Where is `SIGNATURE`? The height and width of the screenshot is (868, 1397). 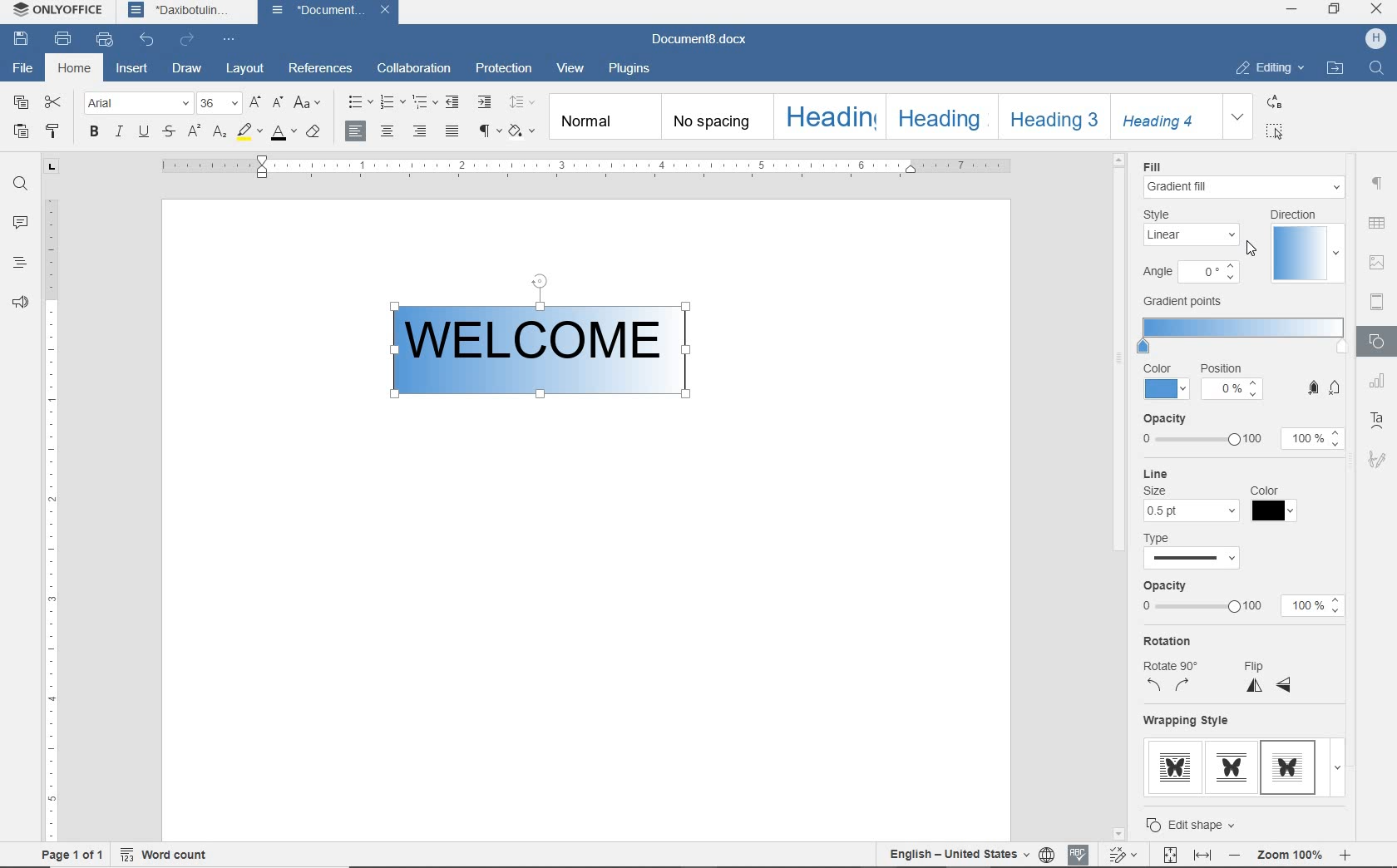 SIGNATURE is located at coordinates (1378, 459).